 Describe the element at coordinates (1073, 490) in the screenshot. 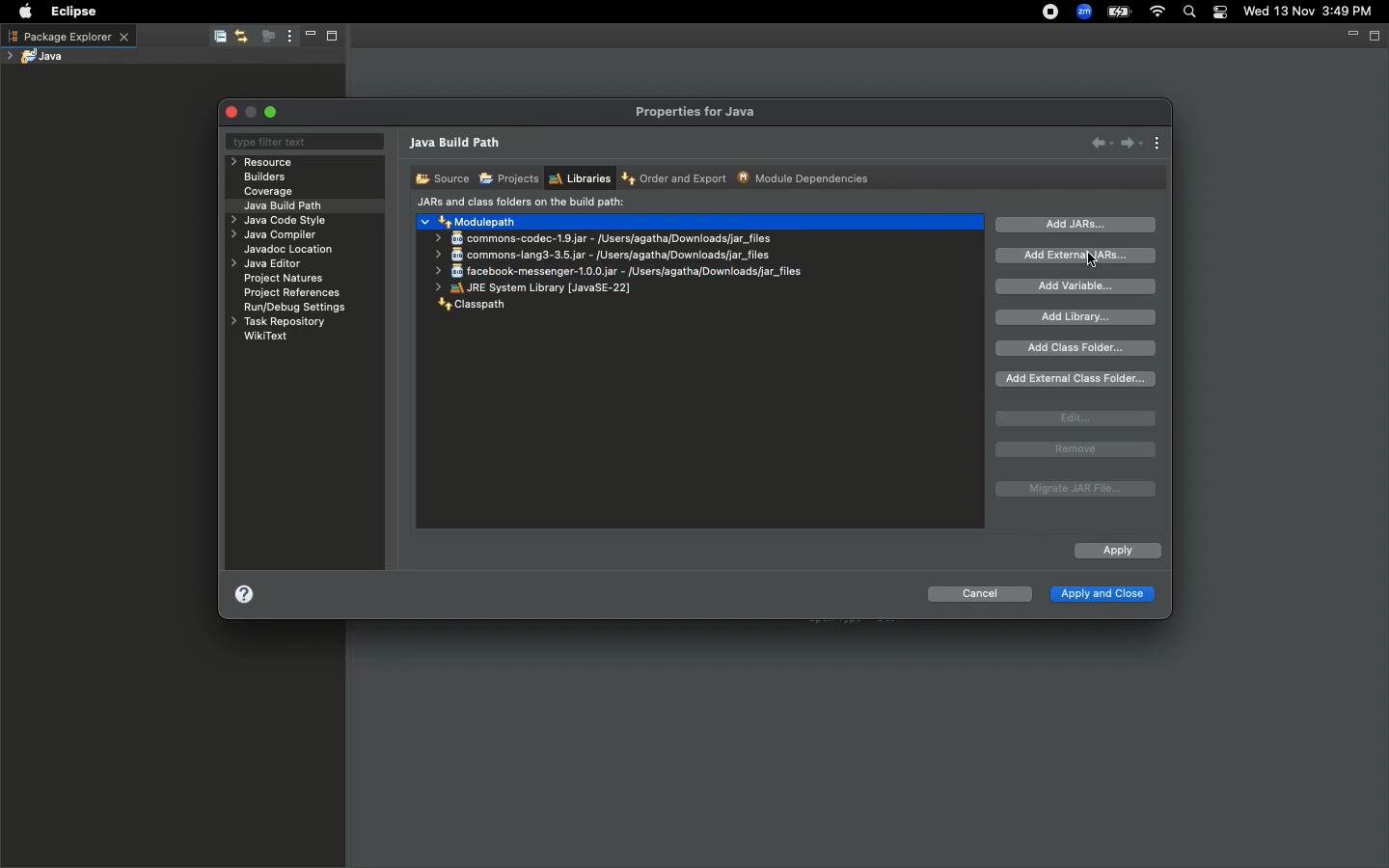

I see `Migrate JAR file` at that location.